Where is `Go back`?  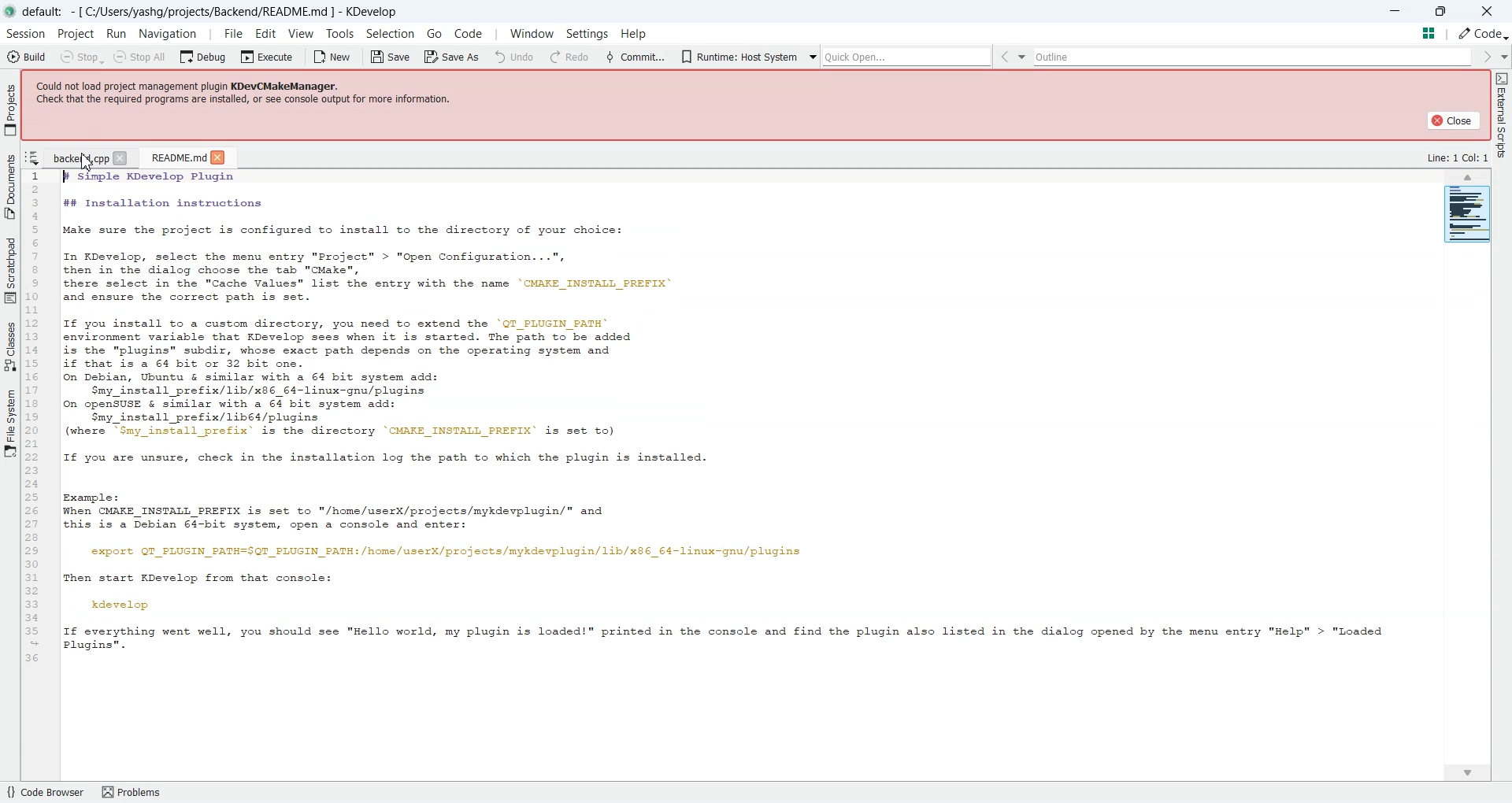 Go back is located at coordinates (770, 57).